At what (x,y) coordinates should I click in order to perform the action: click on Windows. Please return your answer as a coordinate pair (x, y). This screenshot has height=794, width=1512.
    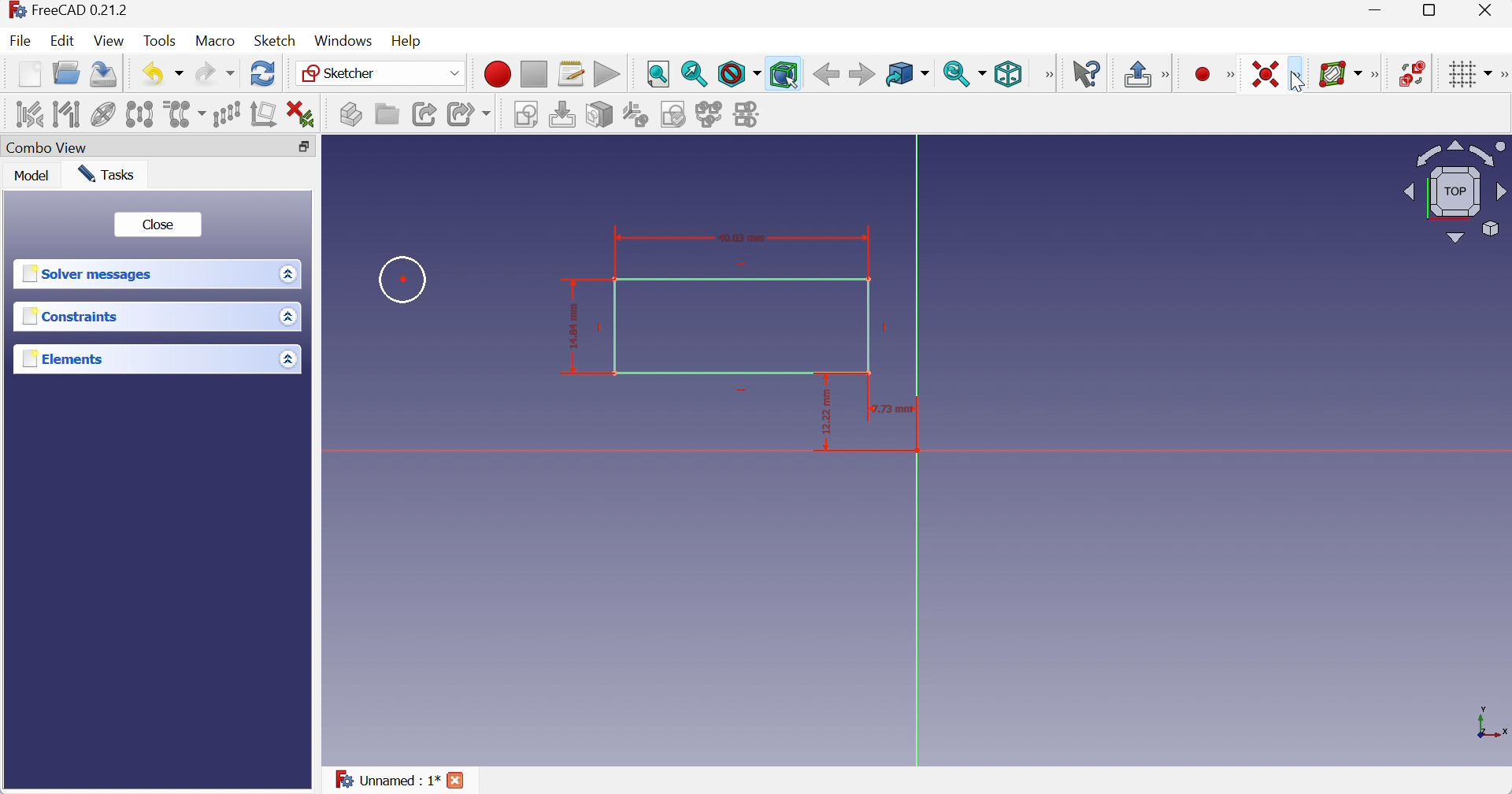
    Looking at the image, I should click on (344, 41).